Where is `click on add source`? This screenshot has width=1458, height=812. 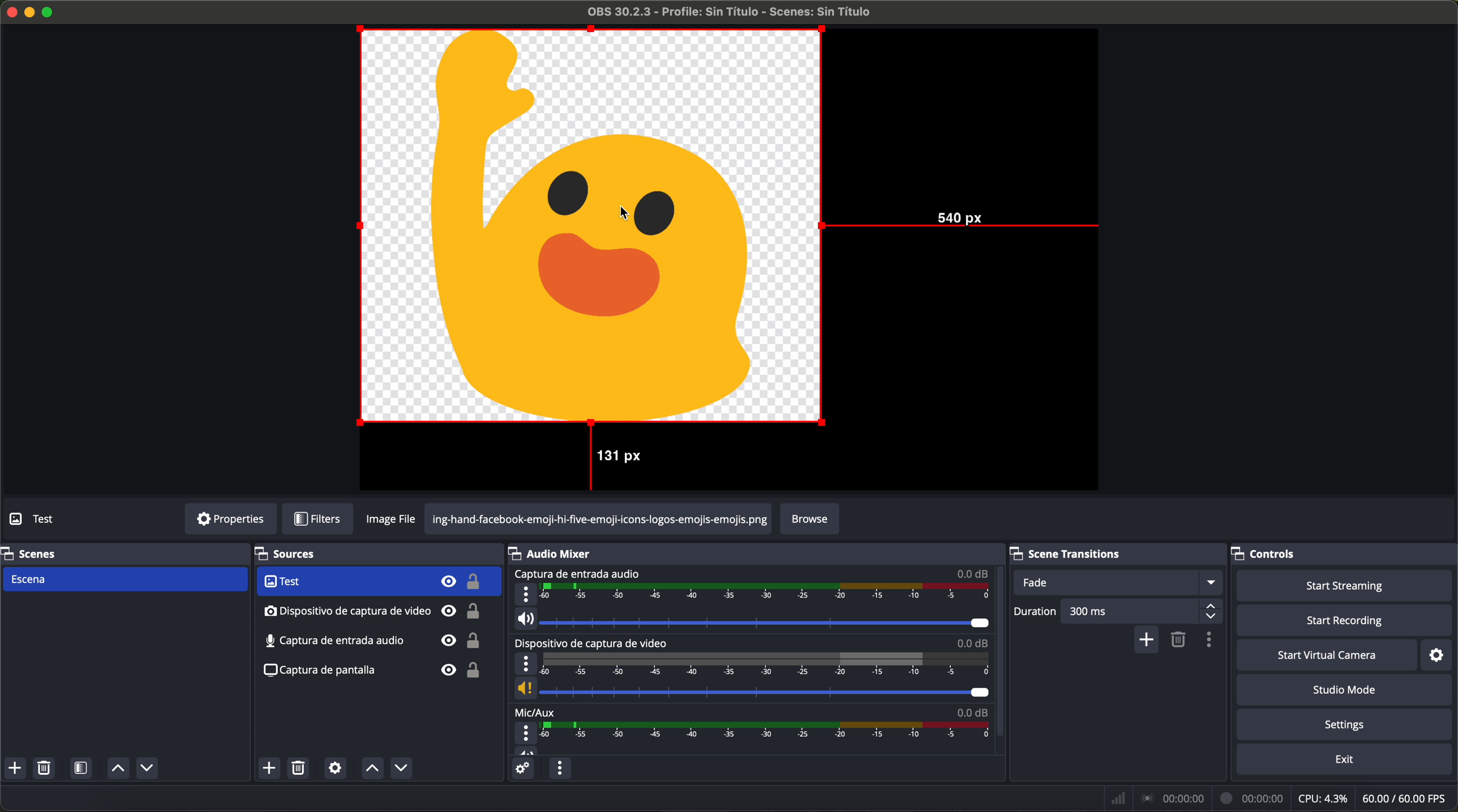 click on add source is located at coordinates (272, 769).